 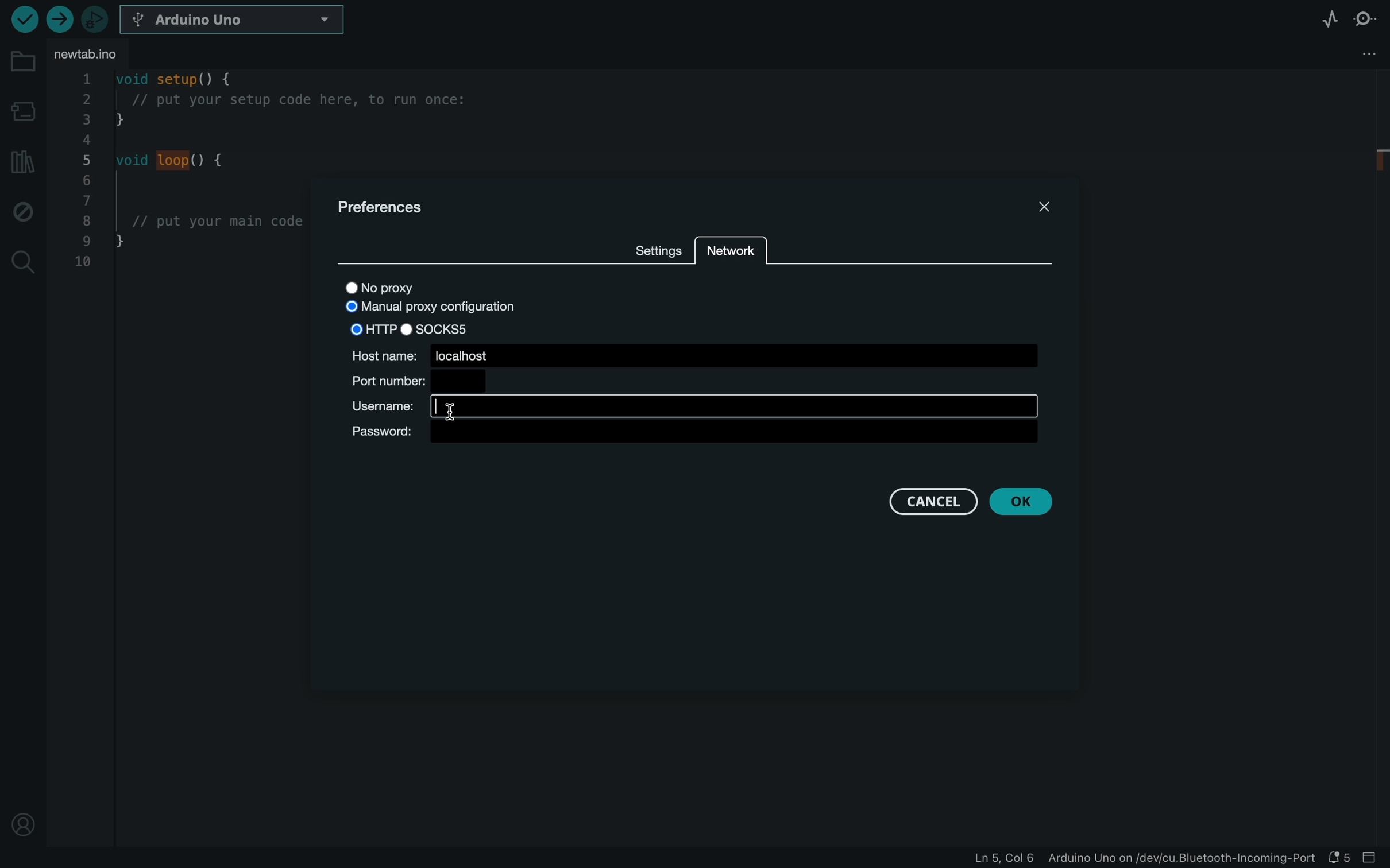 What do you see at coordinates (22, 114) in the screenshot?
I see `board manager` at bounding box center [22, 114].